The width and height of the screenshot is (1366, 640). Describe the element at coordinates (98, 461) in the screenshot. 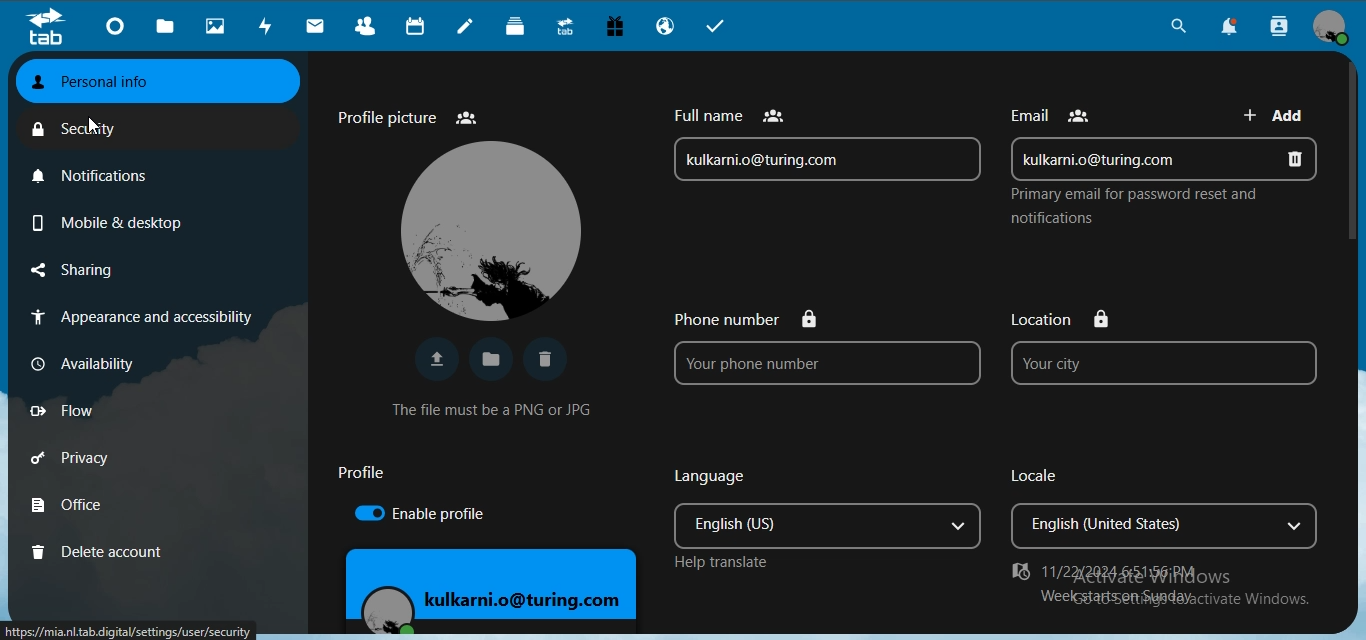

I see `privacy` at that location.